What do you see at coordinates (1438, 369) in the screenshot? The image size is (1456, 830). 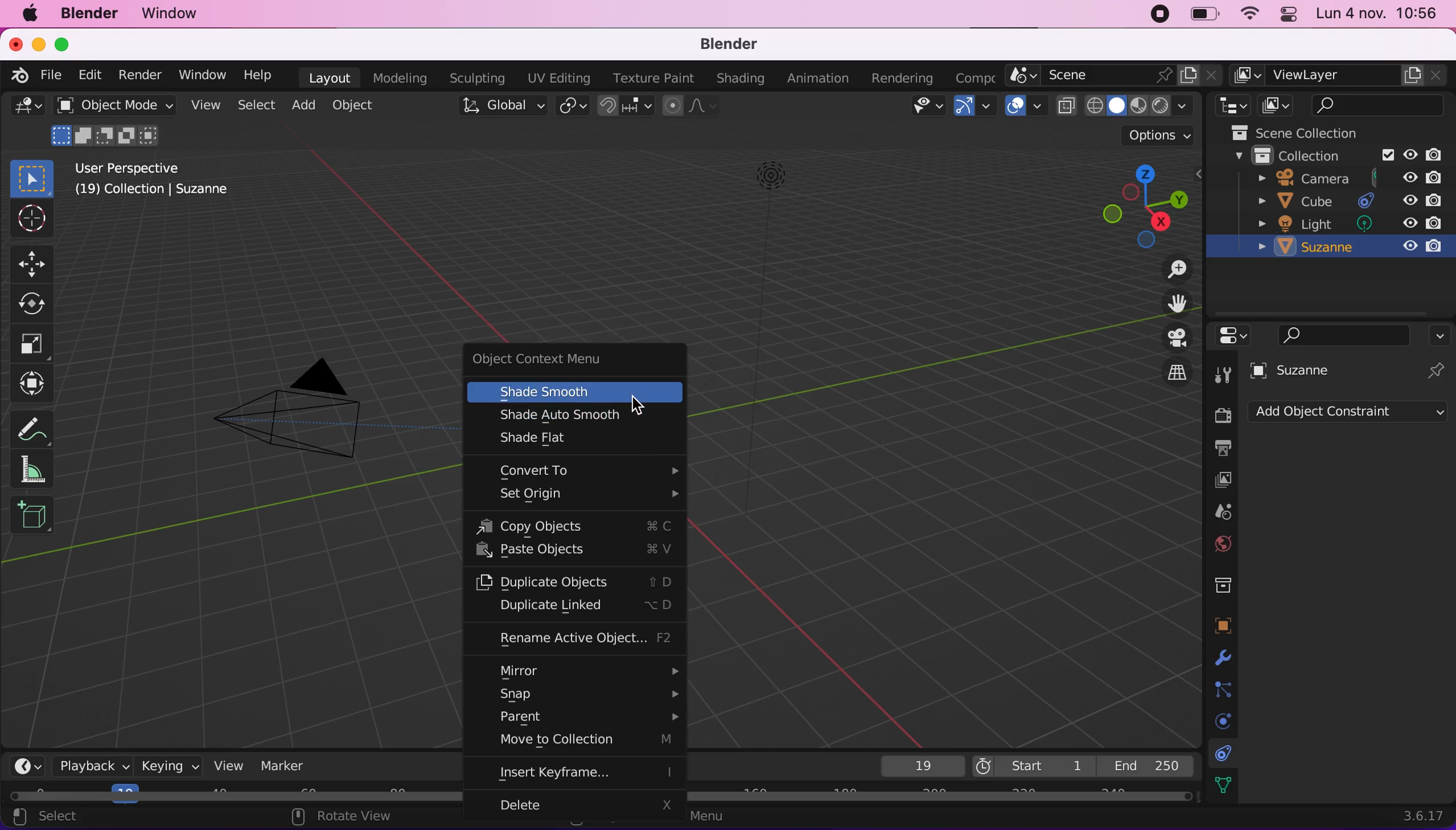 I see `pin` at bounding box center [1438, 369].